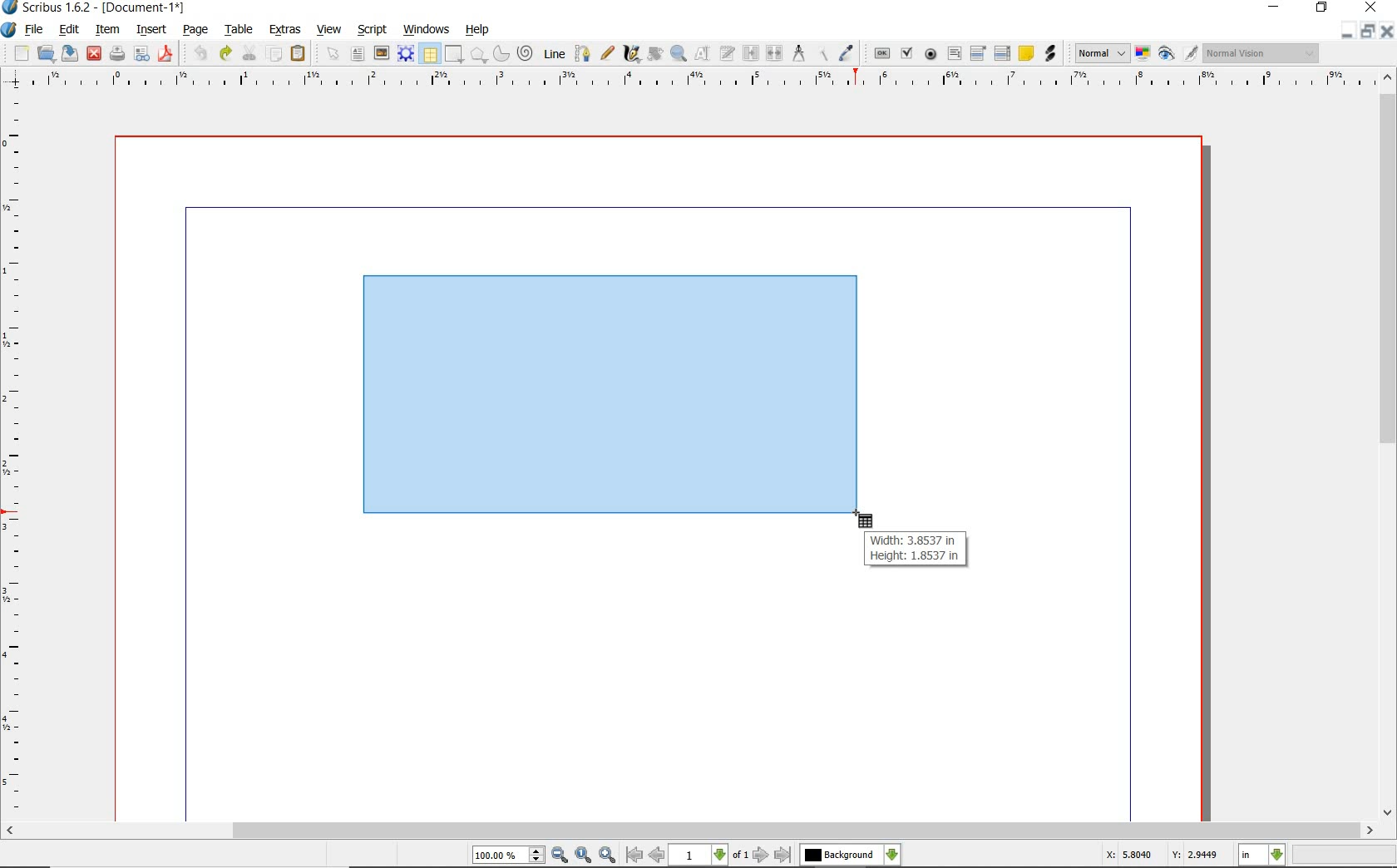 Image resolution: width=1397 pixels, height=868 pixels. Describe the element at coordinates (67, 30) in the screenshot. I see `edit` at that location.